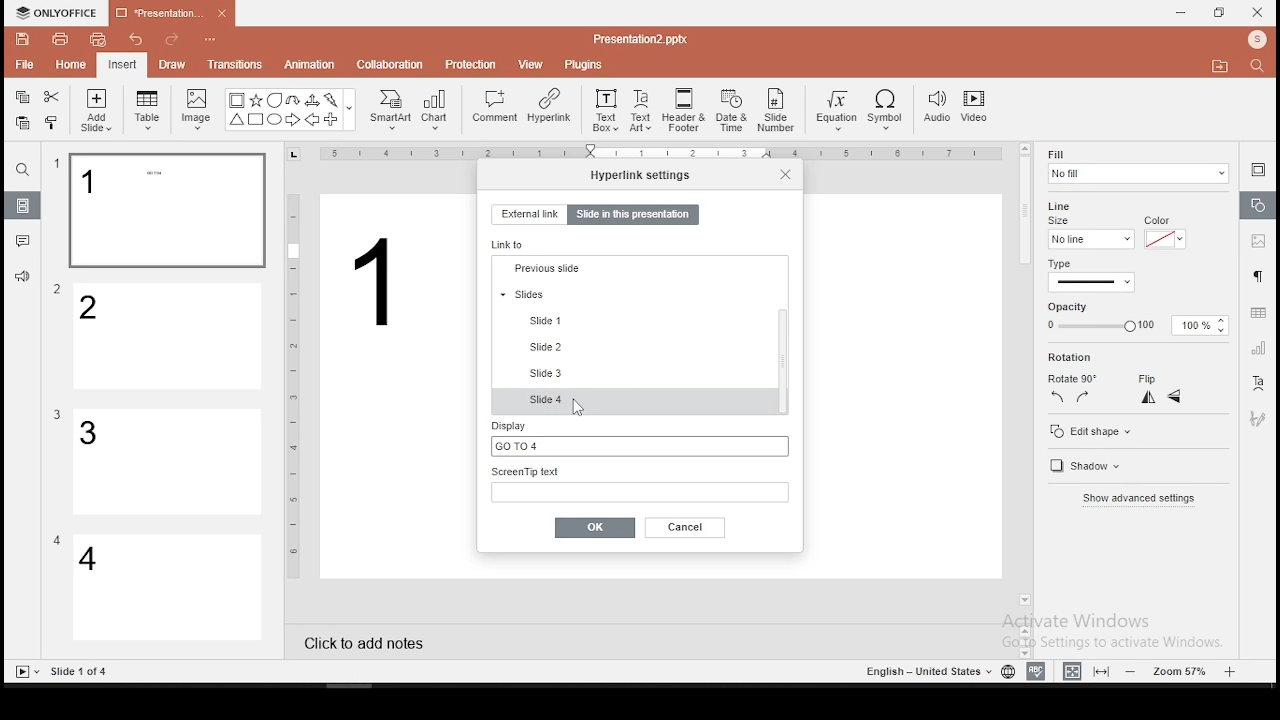 The width and height of the screenshot is (1280, 720). What do you see at coordinates (255, 121) in the screenshot?
I see `Square` at bounding box center [255, 121].